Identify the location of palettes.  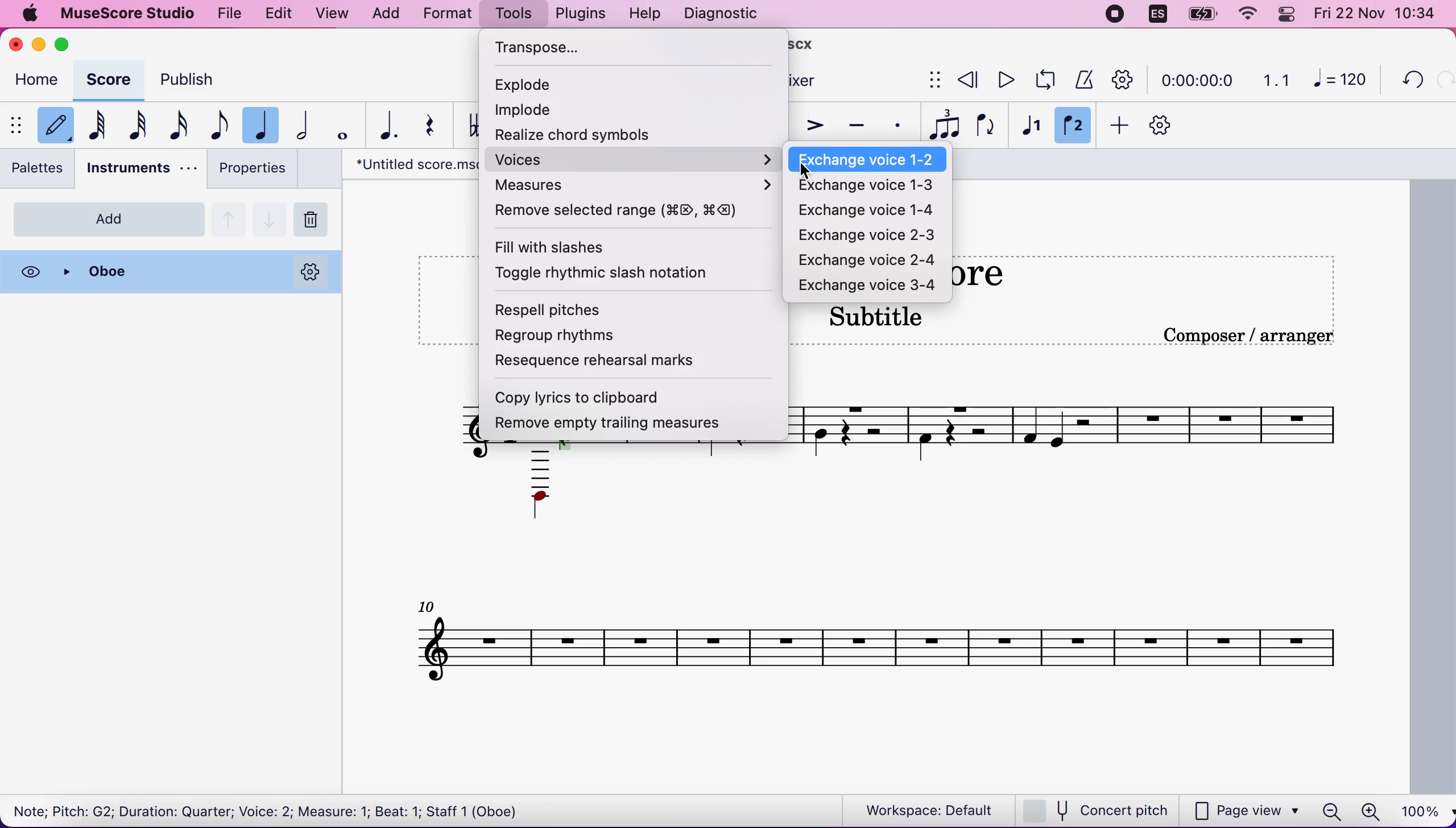
(39, 168).